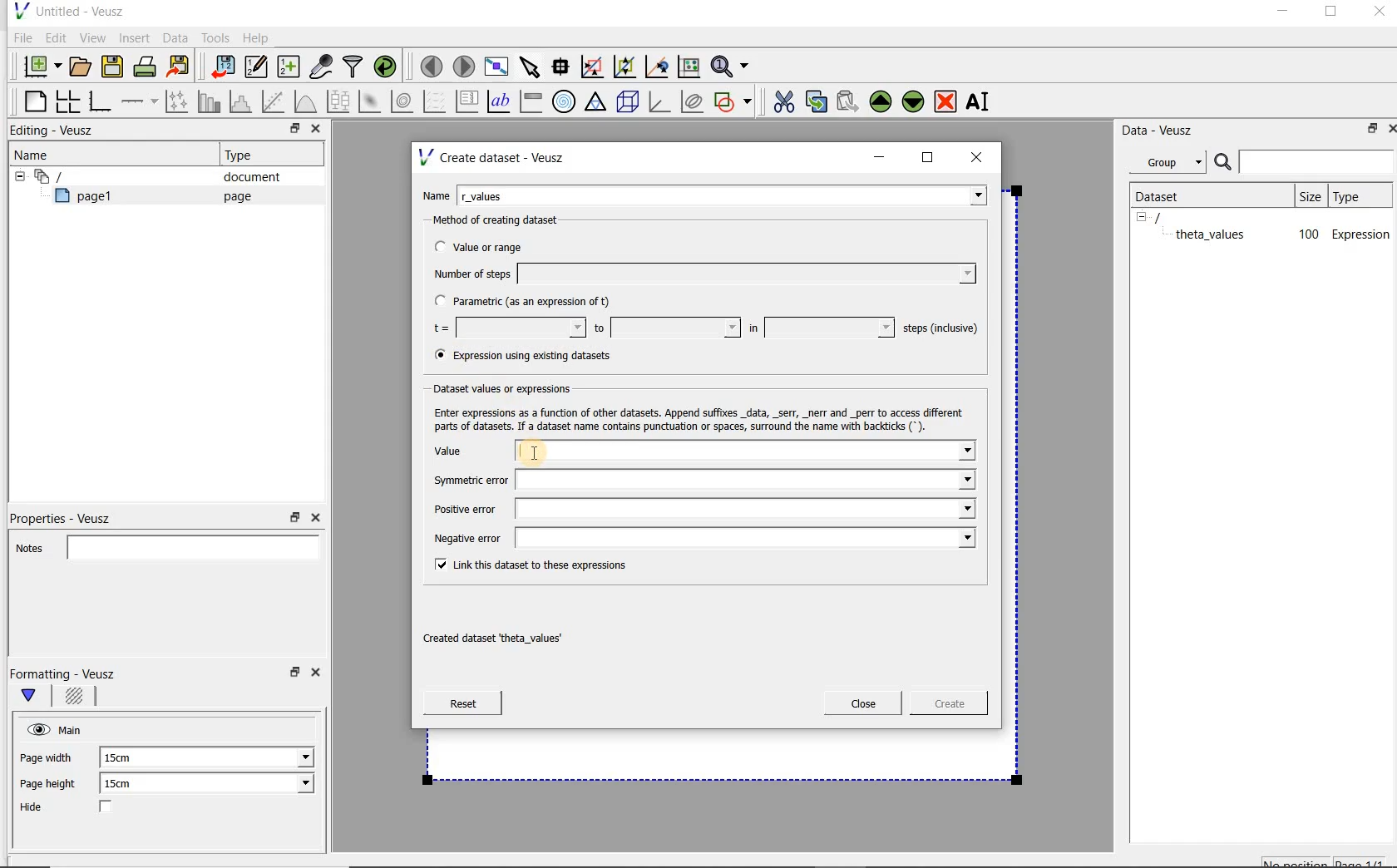 The height and width of the screenshot is (868, 1397). I want to click on No position, so click(1297, 861).